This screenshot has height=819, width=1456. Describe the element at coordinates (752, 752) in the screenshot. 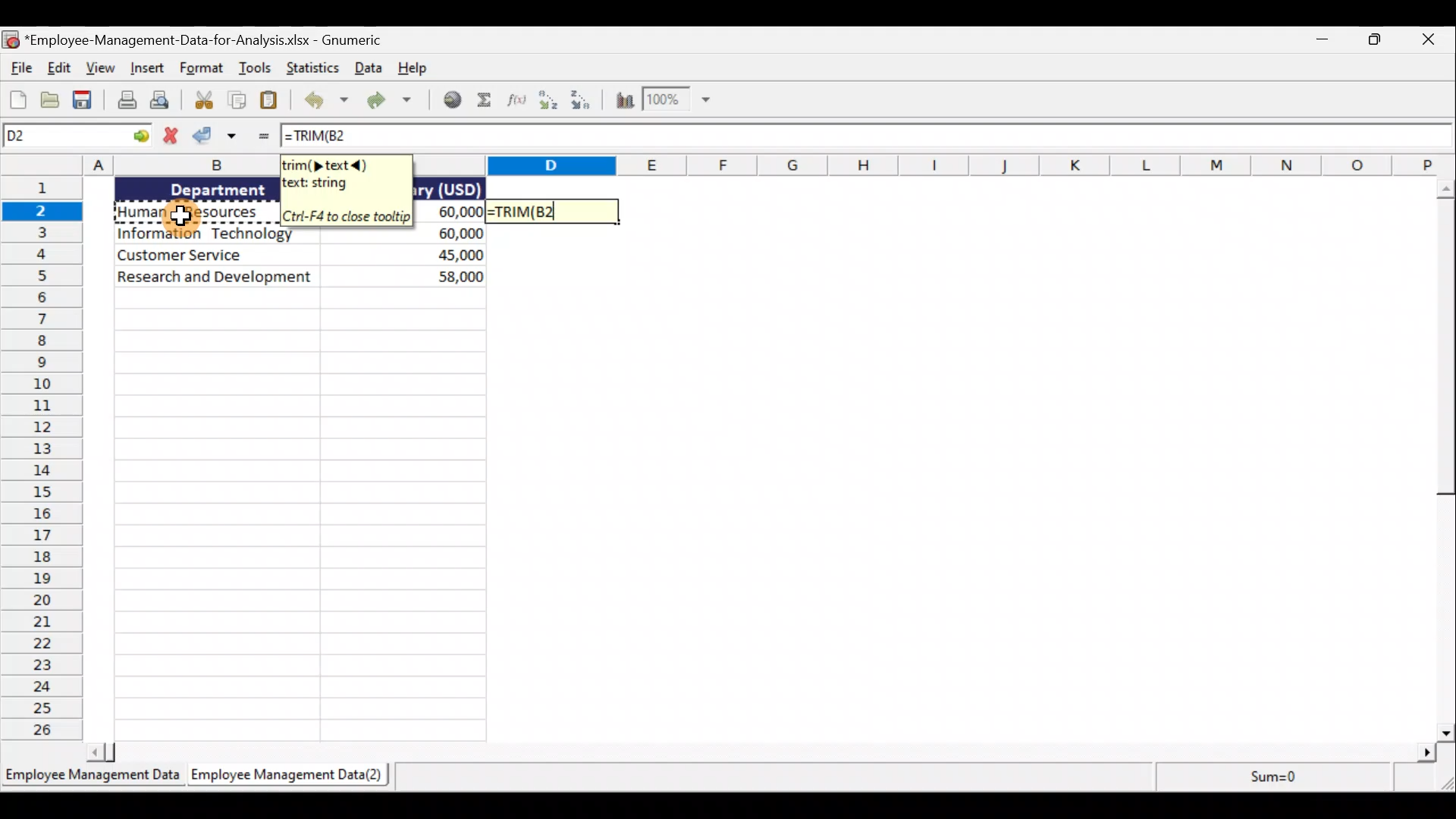

I see `scroll bar` at that location.